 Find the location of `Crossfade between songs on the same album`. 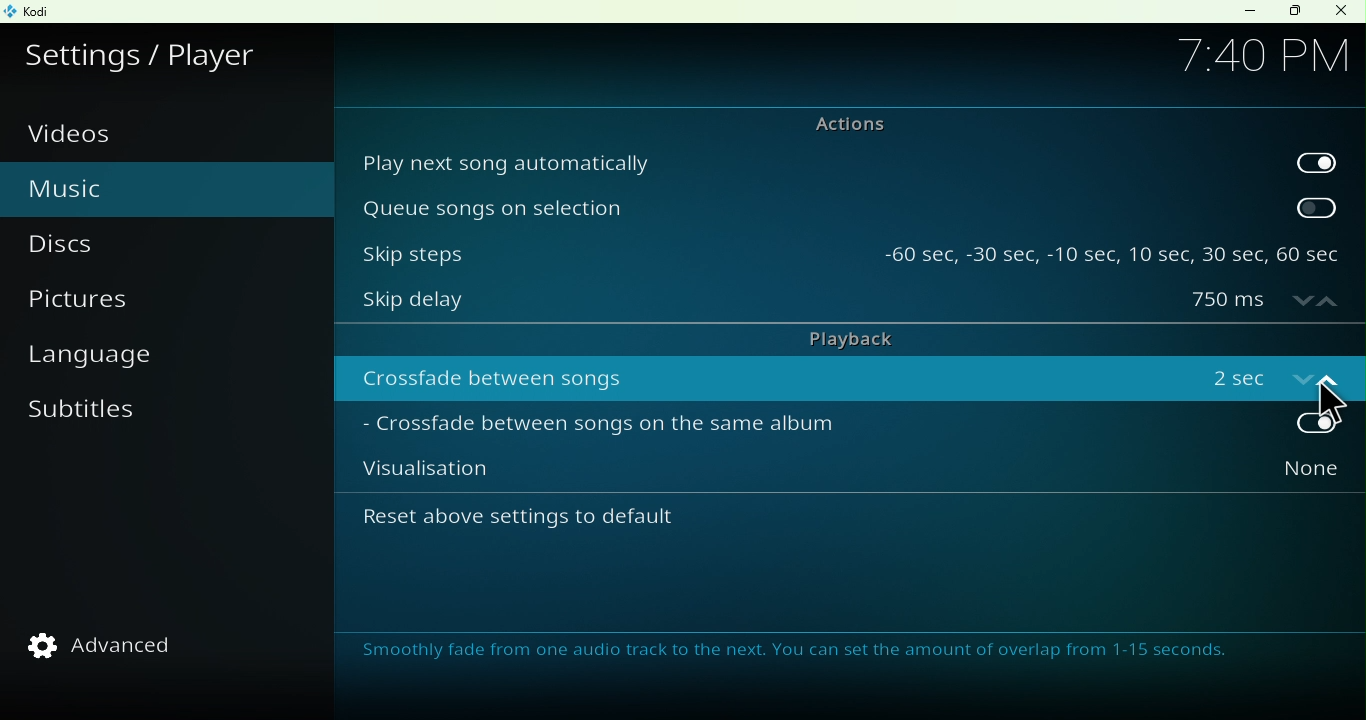

Crossfade between songs on the same album is located at coordinates (761, 428).